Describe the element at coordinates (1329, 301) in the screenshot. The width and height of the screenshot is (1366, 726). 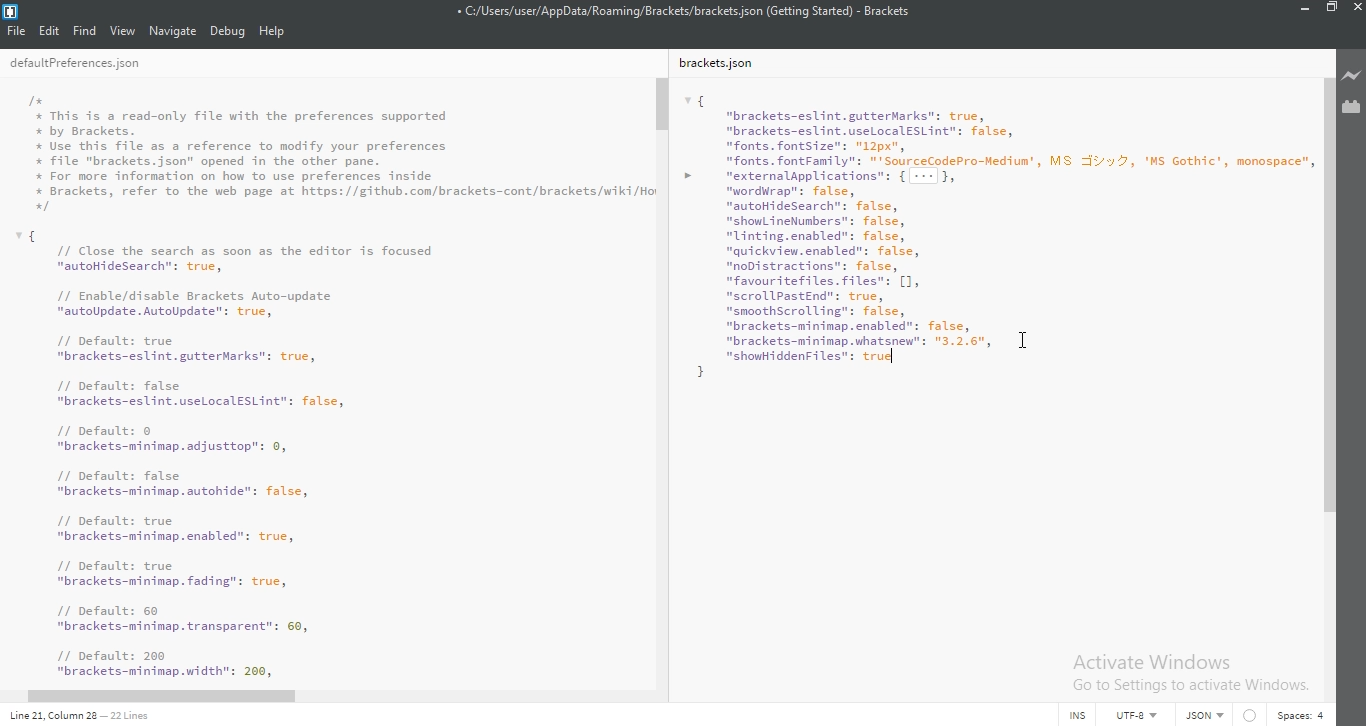
I see `scroll bar` at that location.